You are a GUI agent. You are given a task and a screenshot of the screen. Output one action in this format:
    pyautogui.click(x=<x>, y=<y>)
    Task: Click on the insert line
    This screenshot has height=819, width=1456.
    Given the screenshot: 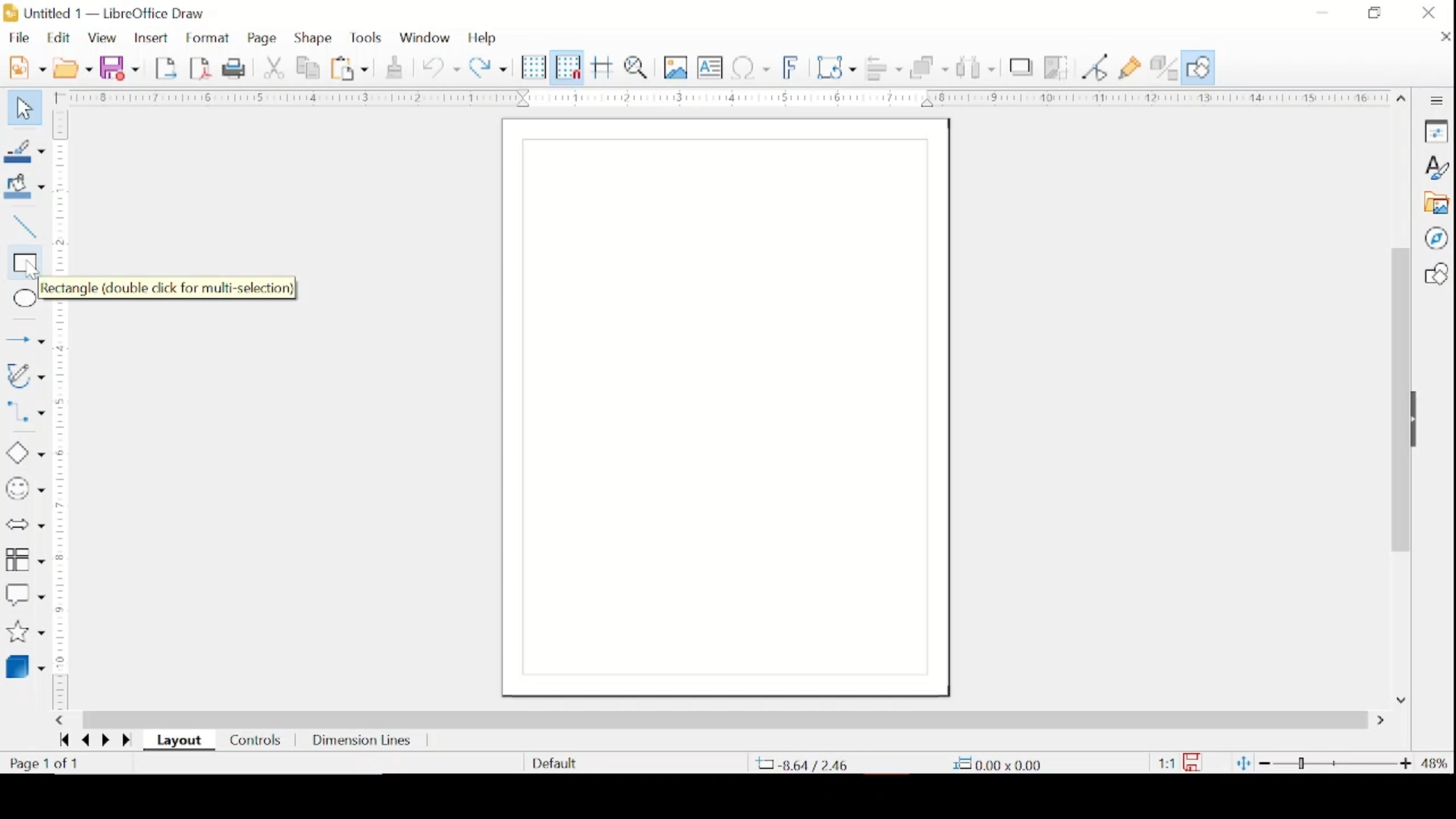 What is the action you would take?
    pyautogui.click(x=25, y=341)
    